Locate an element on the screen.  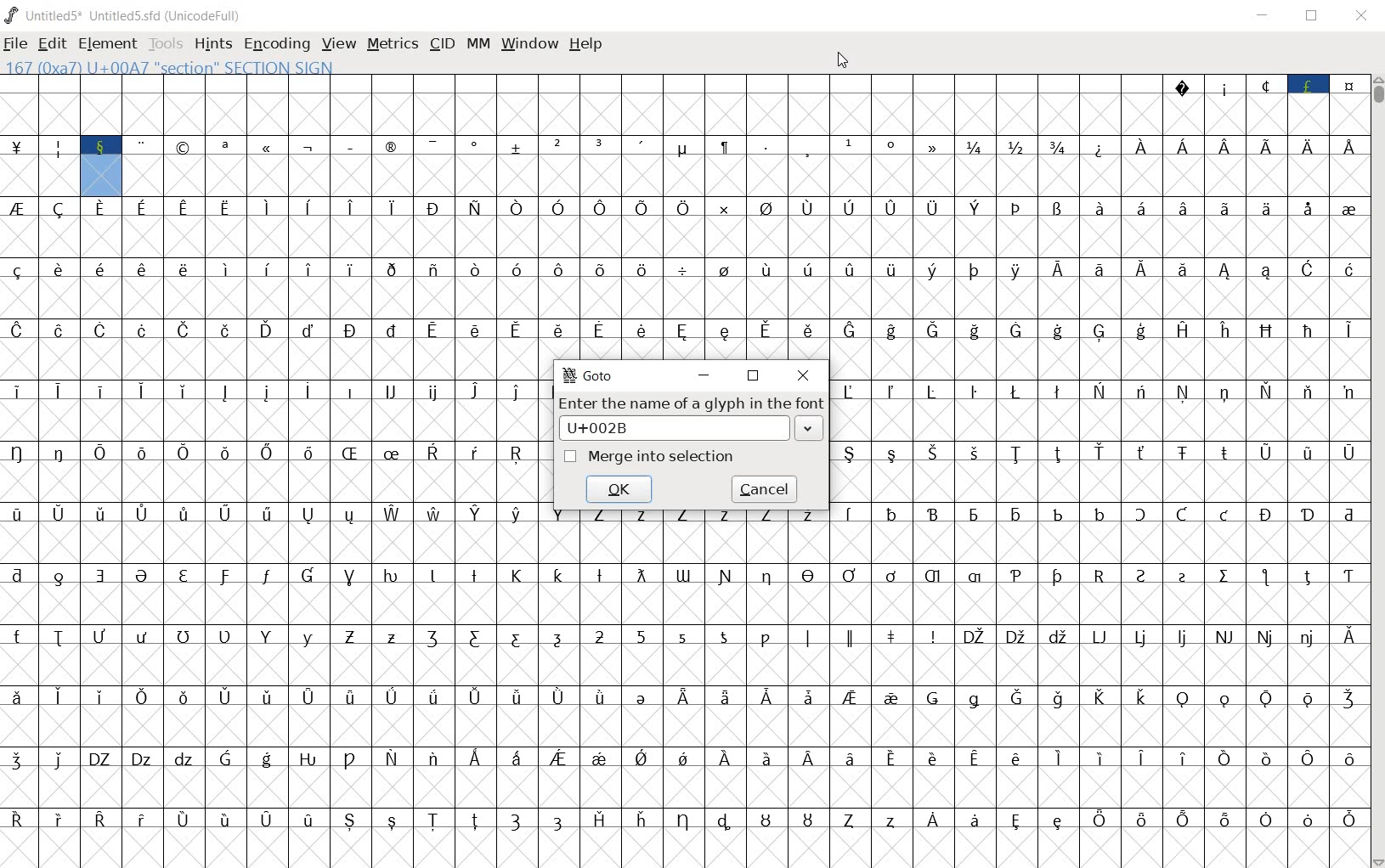
special alphabet is located at coordinates (228, 656).